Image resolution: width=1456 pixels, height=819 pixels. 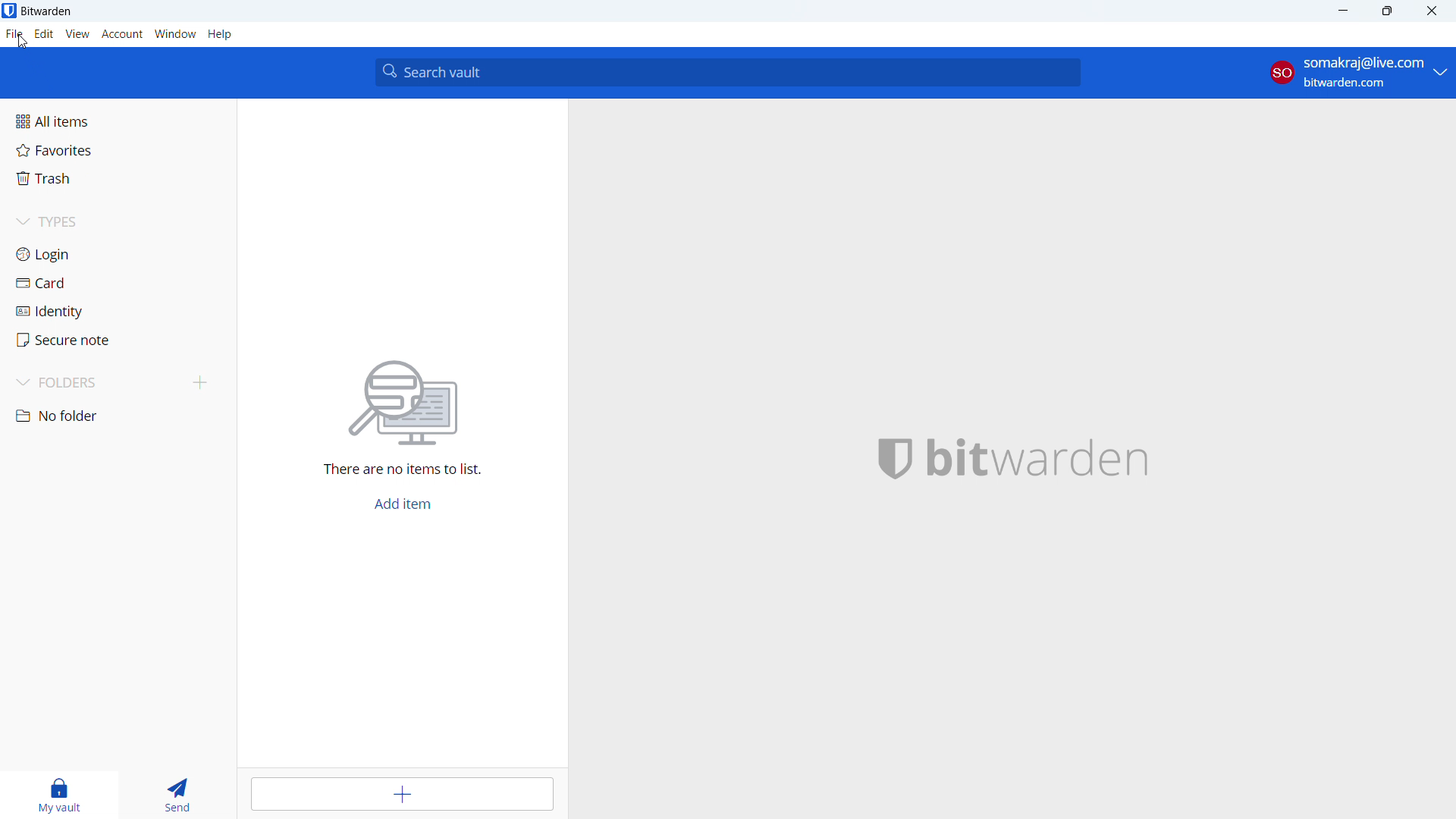 I want to click on window, so click(x=176, y=34).